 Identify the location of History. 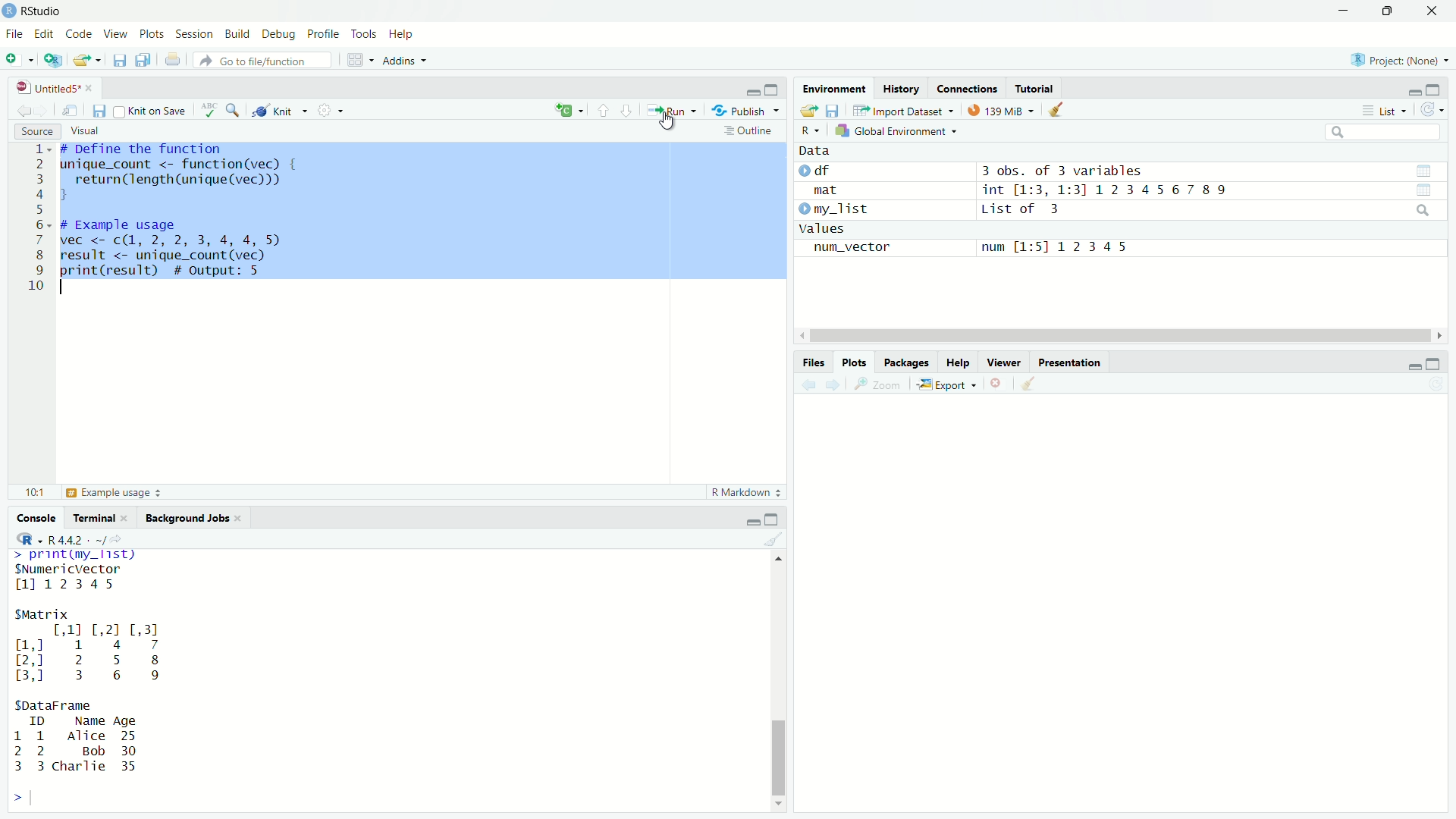
(902, 89).